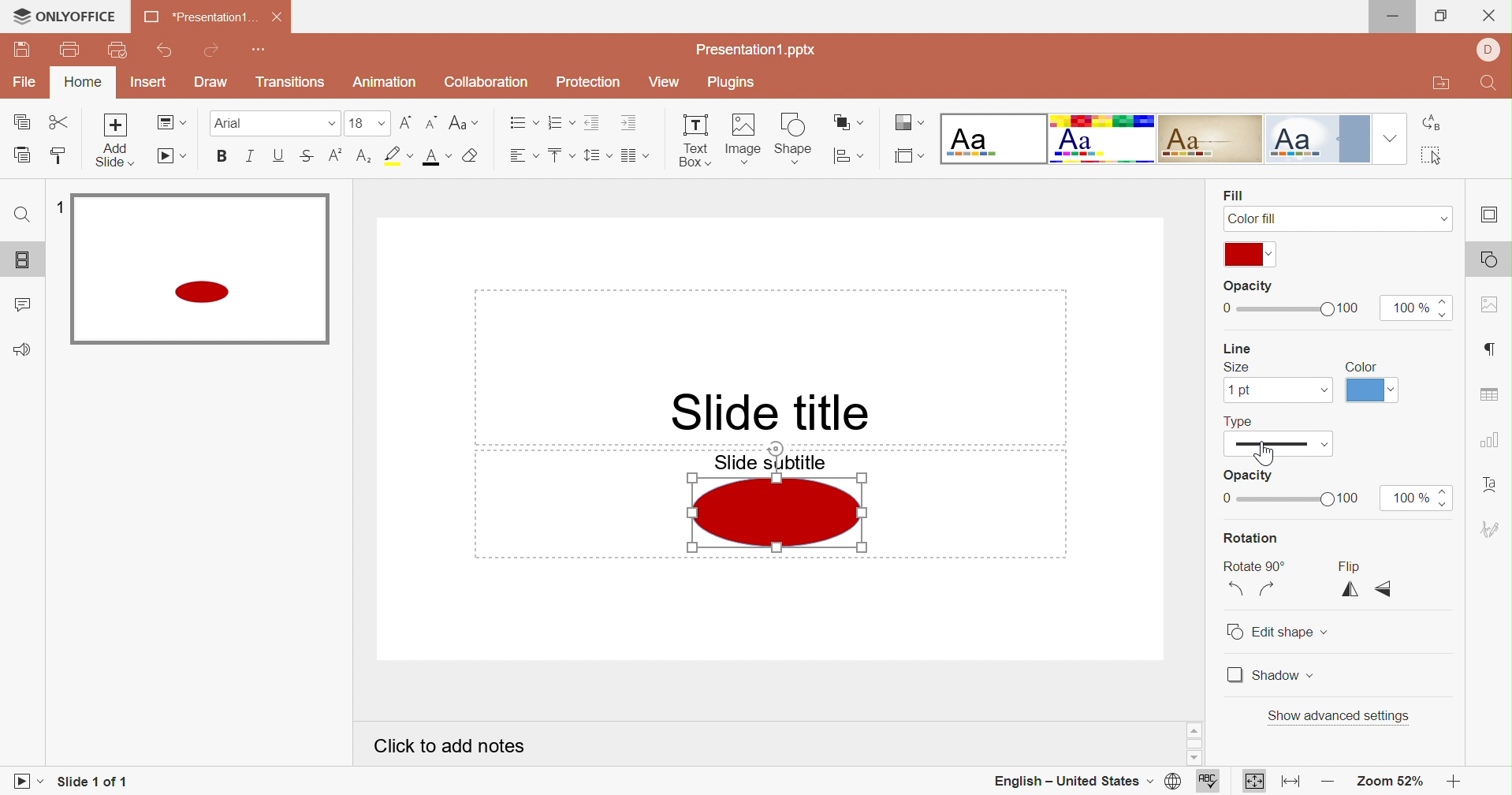 The height and width of the screenshot is (795, 1512). I want to click on Transitions, so click(291, 82).